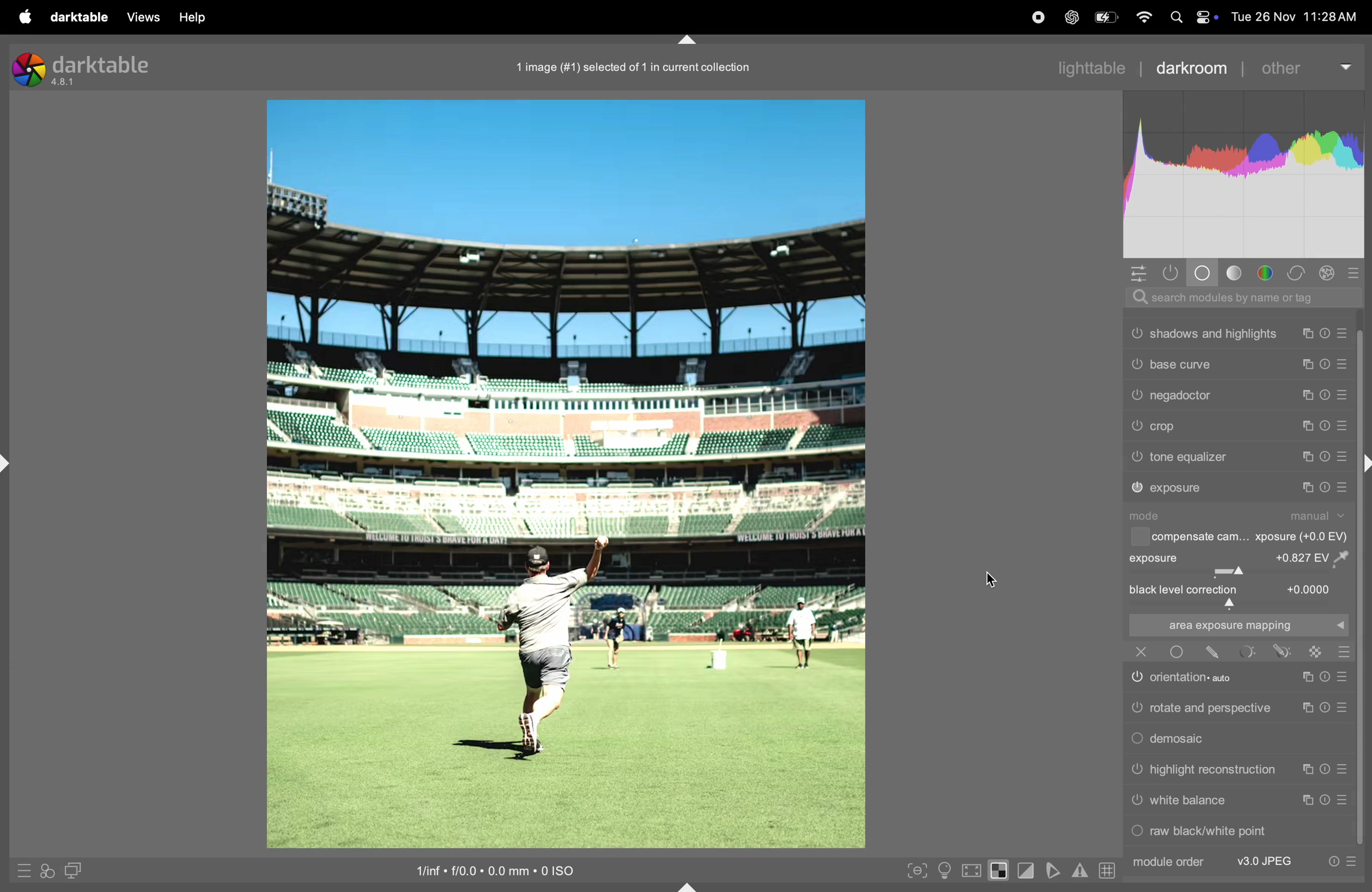 Image resolution: width=1372 pixels, height=892 pixels. I want to click on copy, so click(1305, 487).